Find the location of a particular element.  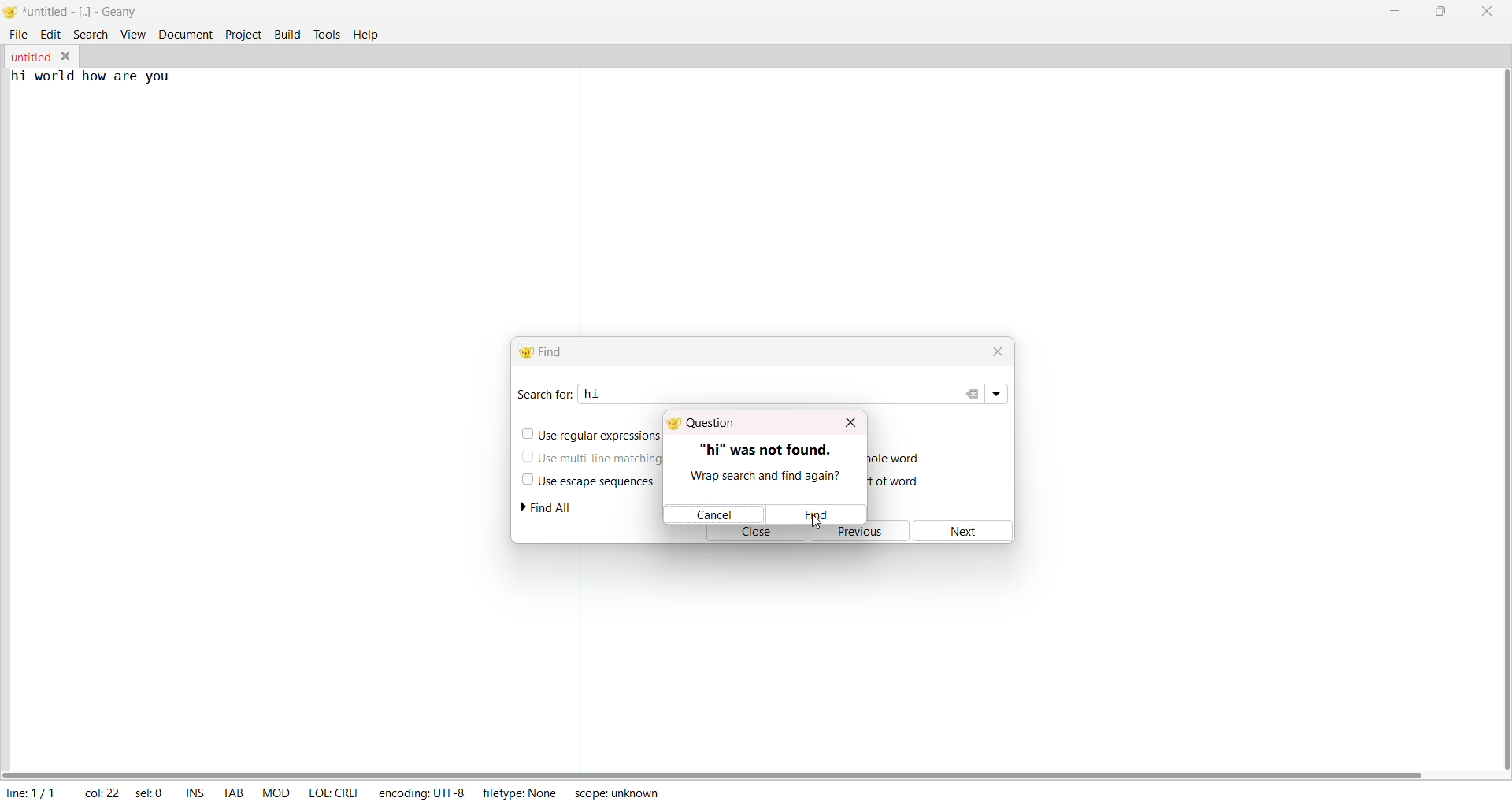

mod is located at coordinates (272, 792).